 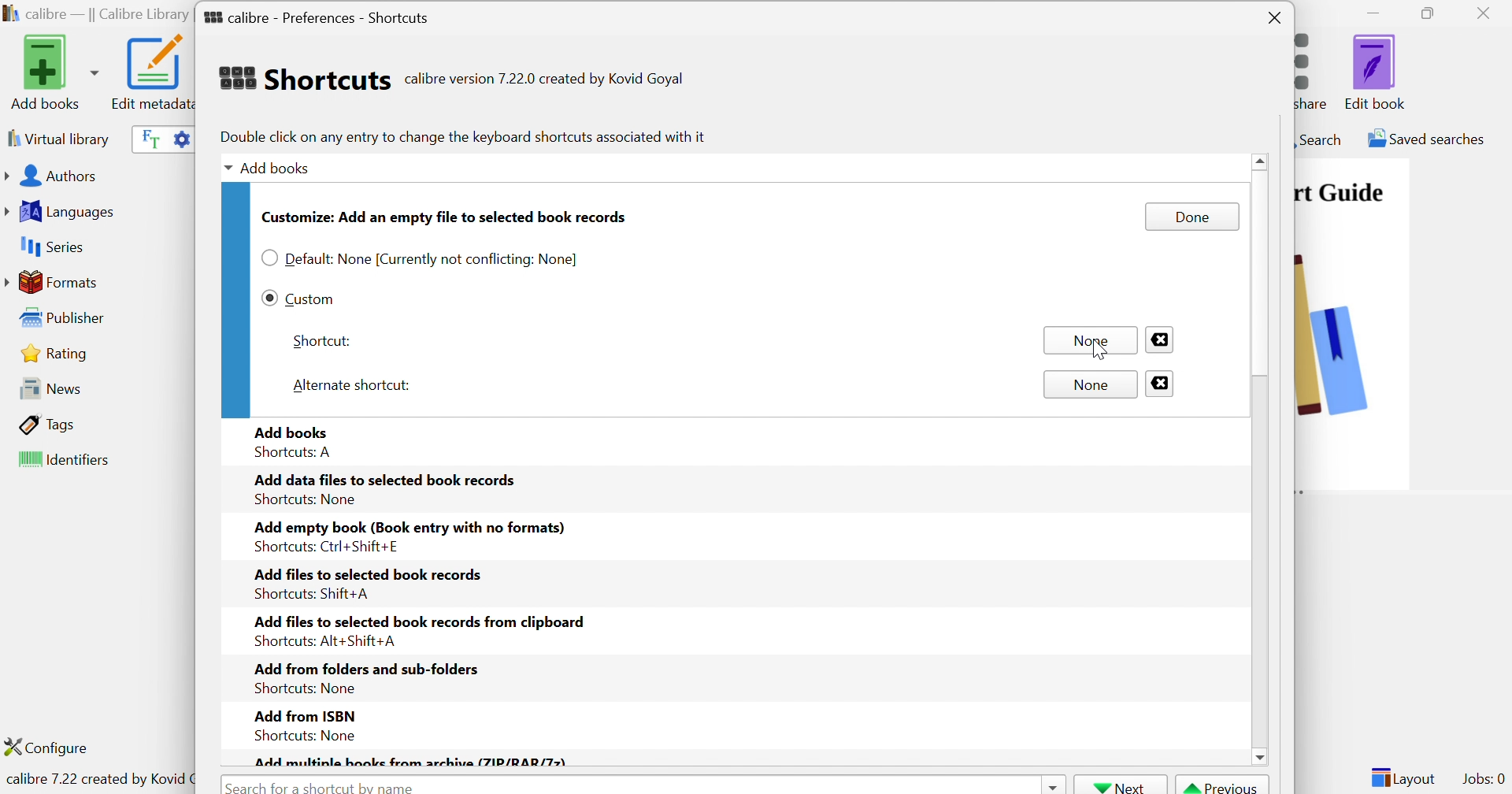 I want to click on Add data files to selected book records, so click(x=387, y=479).